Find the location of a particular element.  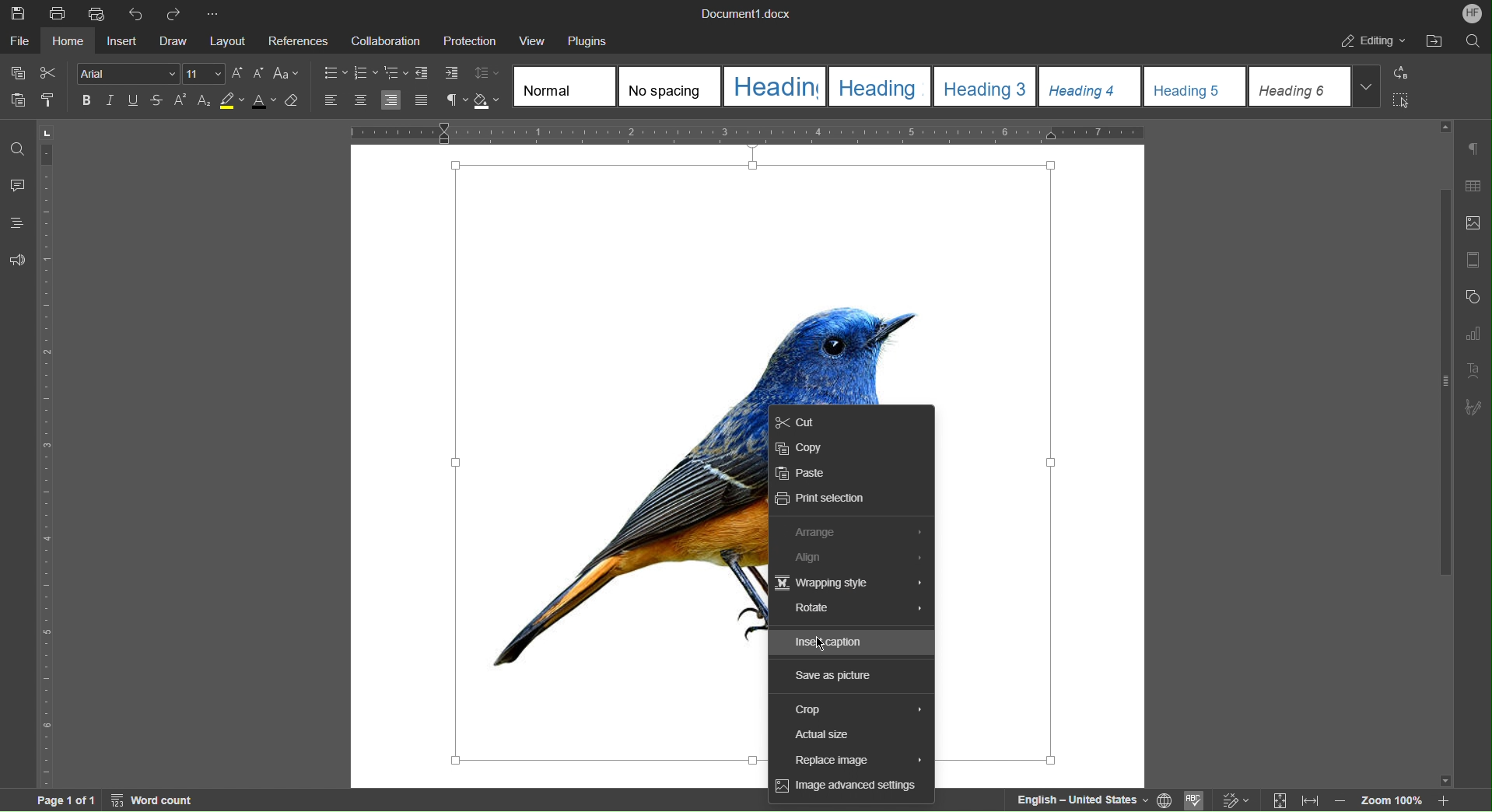

Underline is located at coordinates (133, 101).